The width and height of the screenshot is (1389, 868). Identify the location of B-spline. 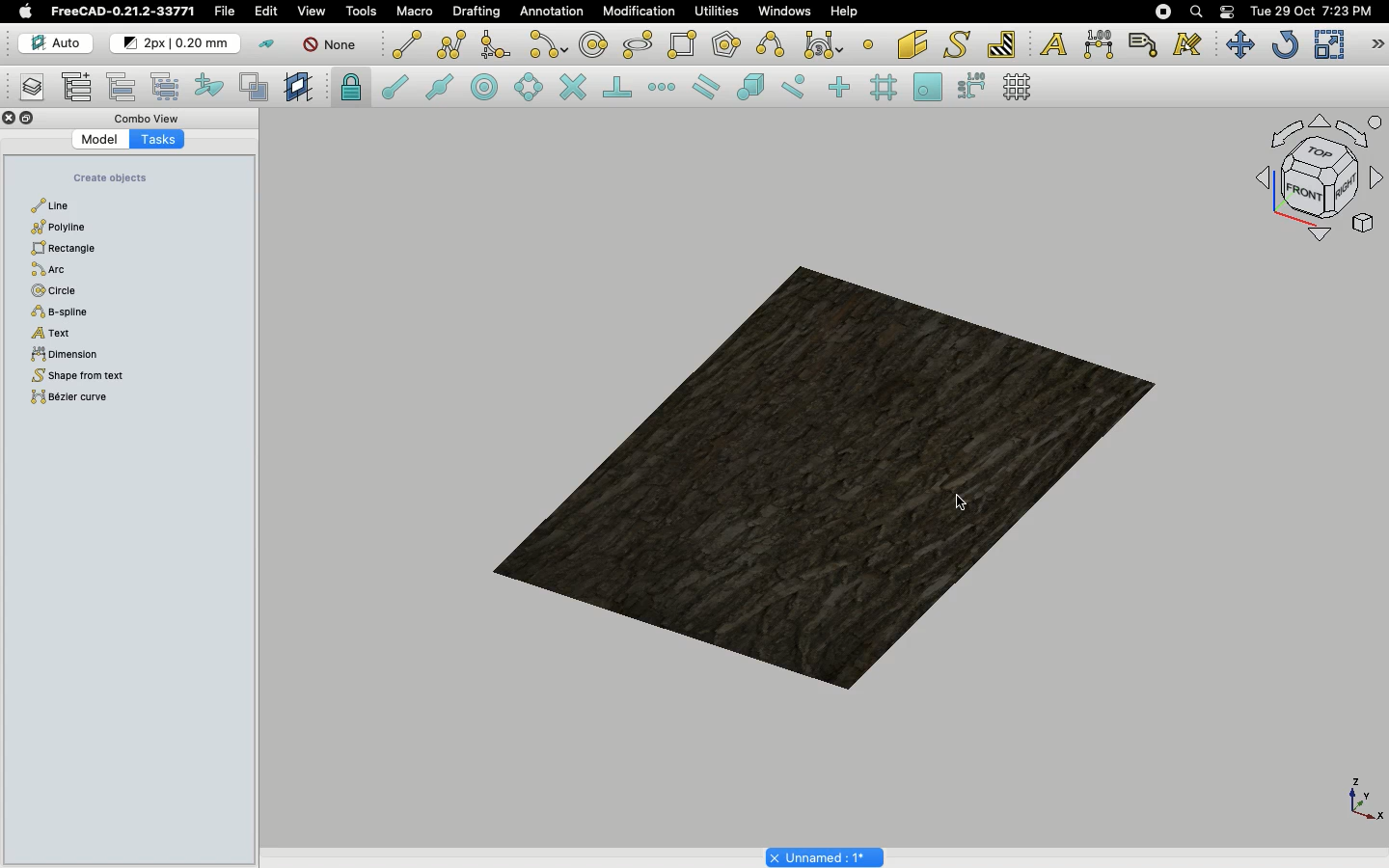
(770, 44).